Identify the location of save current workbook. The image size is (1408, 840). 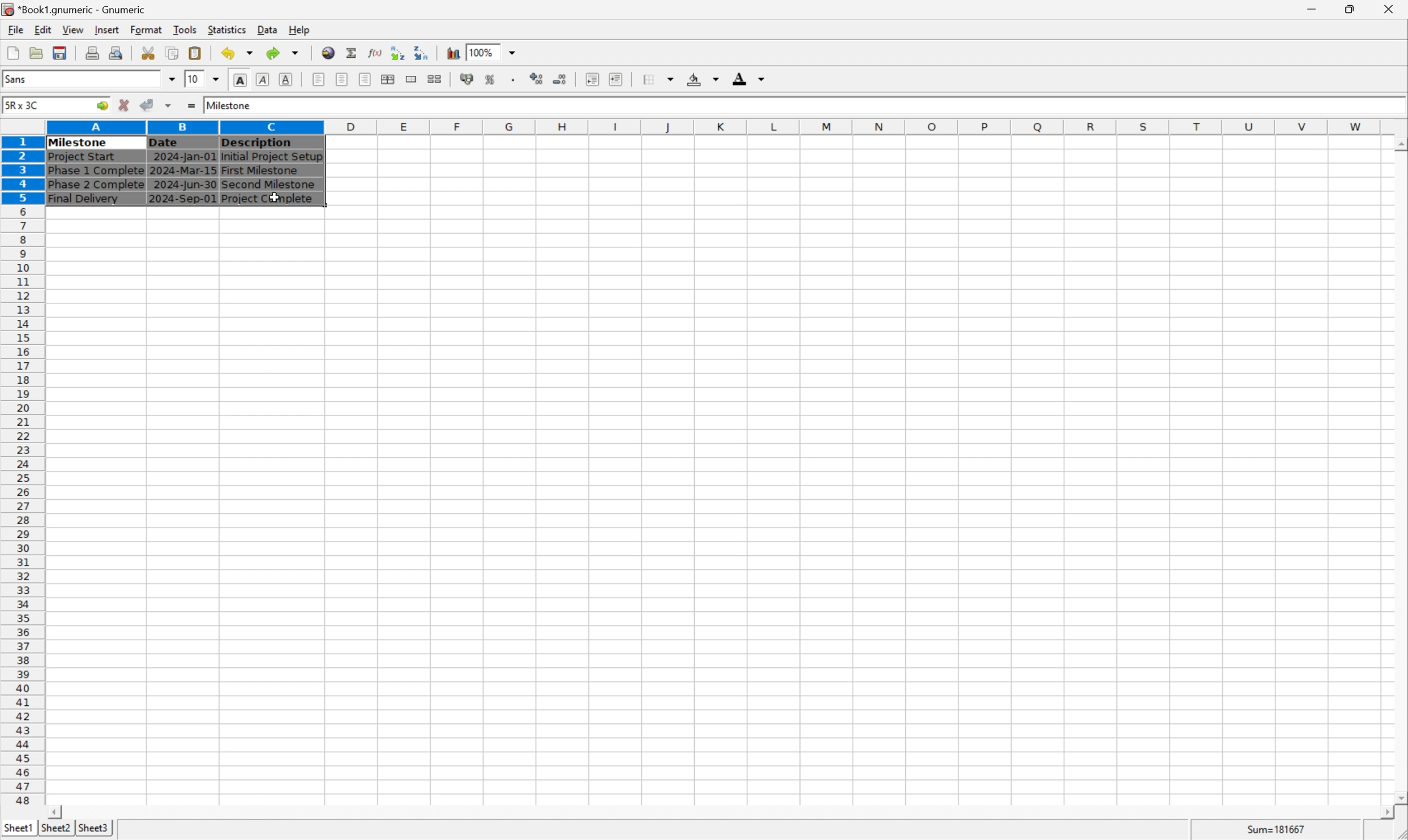
(60, 54).